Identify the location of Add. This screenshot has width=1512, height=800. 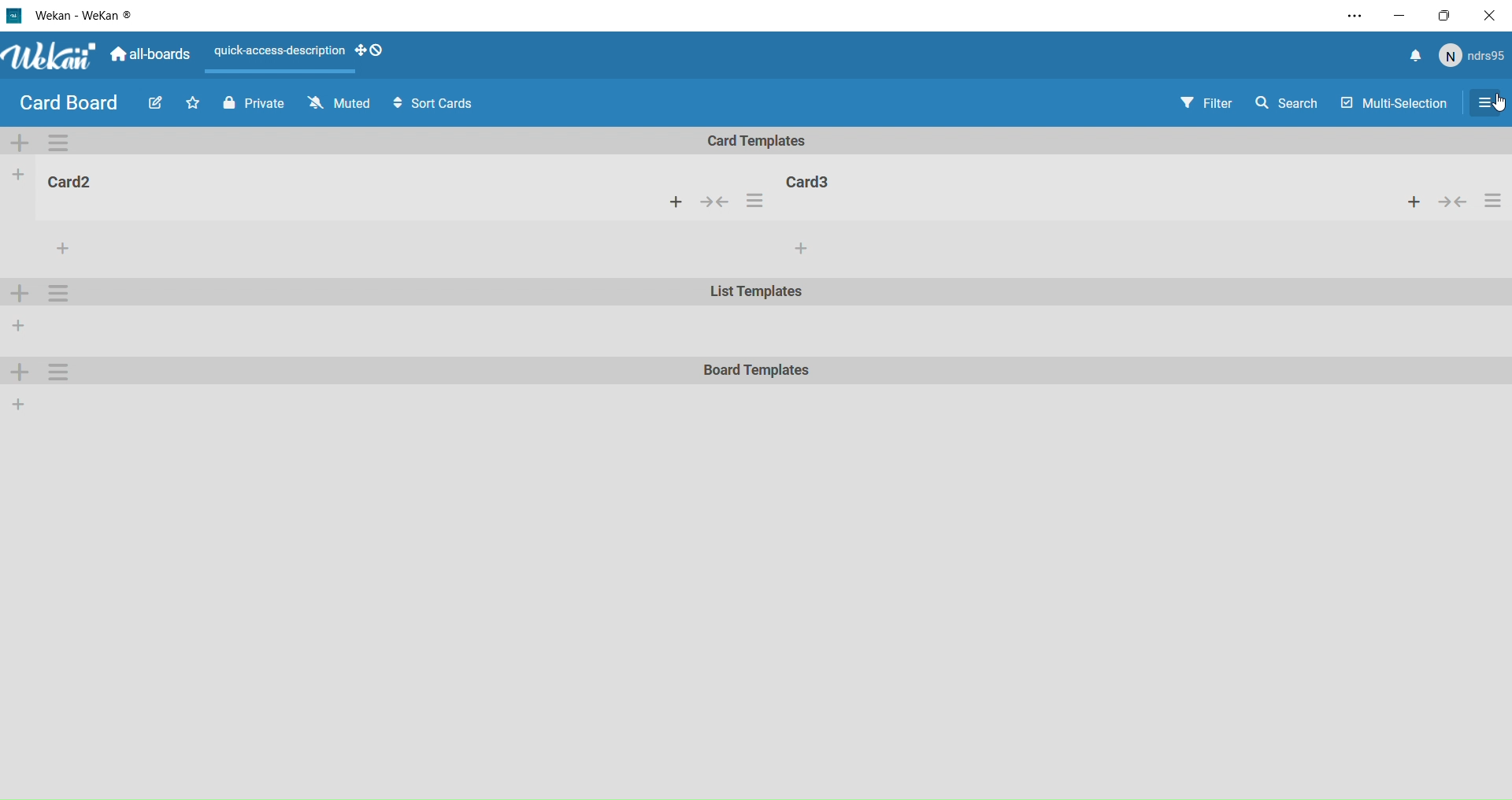
(20, 403).